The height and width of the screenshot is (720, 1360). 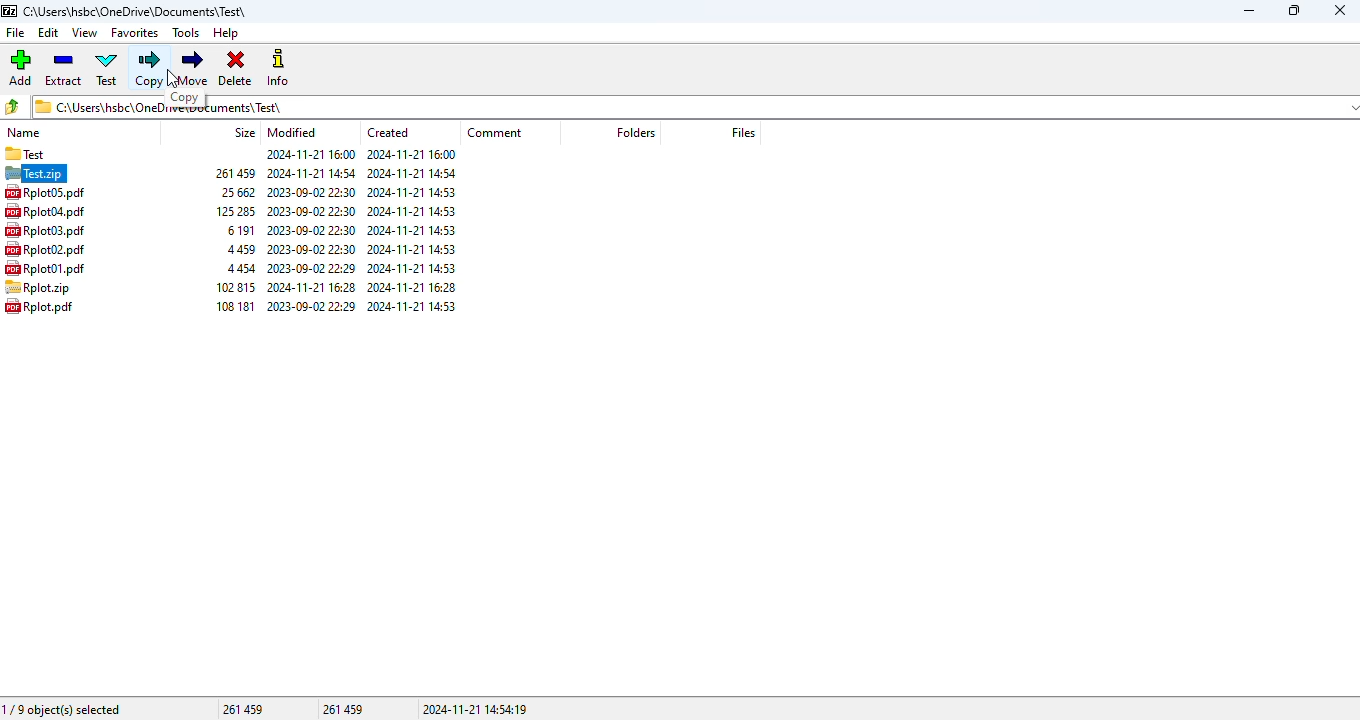 What do you see at coordinates (62, 710) in the screenshot?
I see `1/9 object(s) selected` at bounding box center [62, 710].